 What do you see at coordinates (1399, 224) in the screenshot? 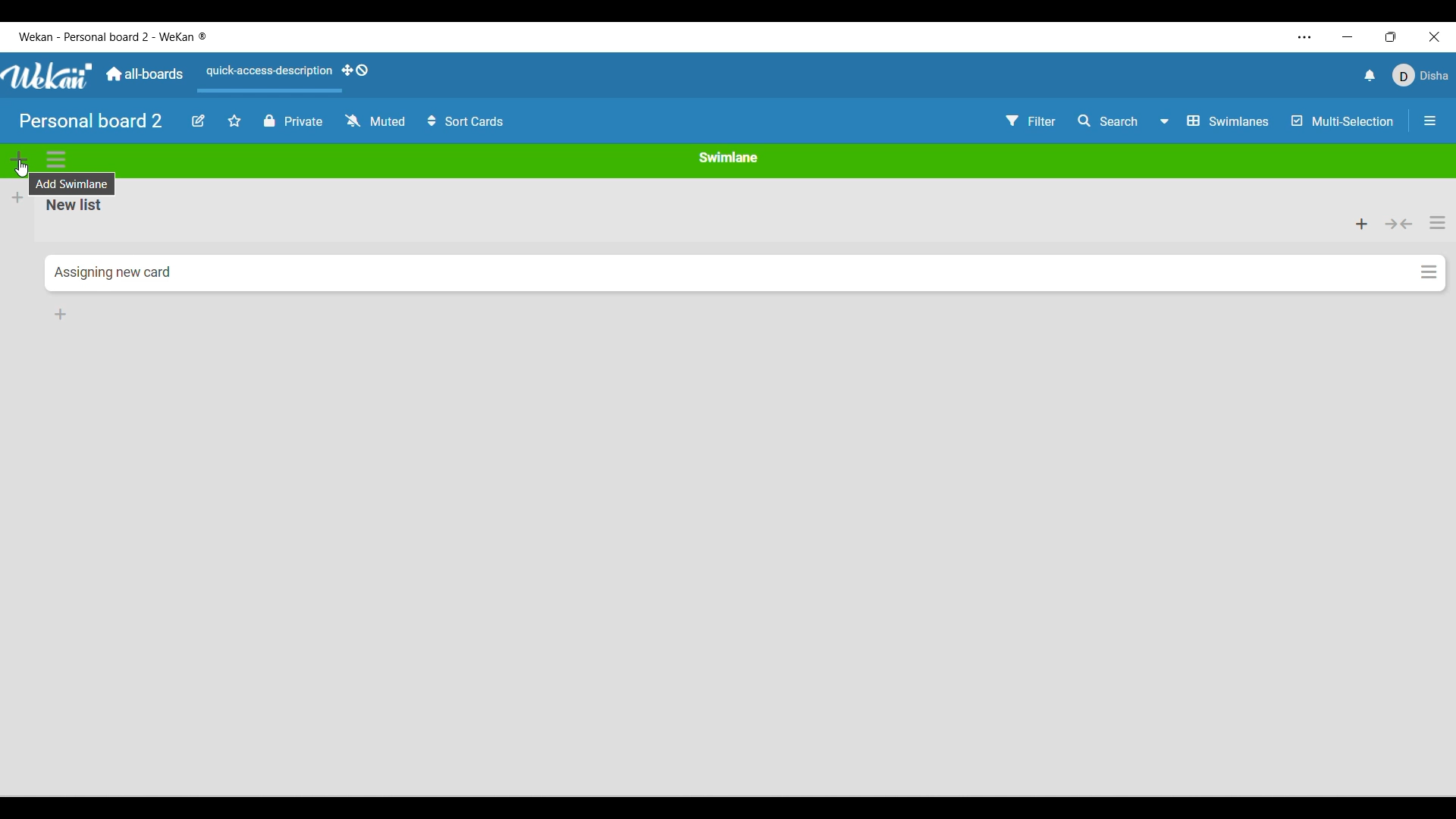
I see `Collapse` at bounding box center [1399, 224].